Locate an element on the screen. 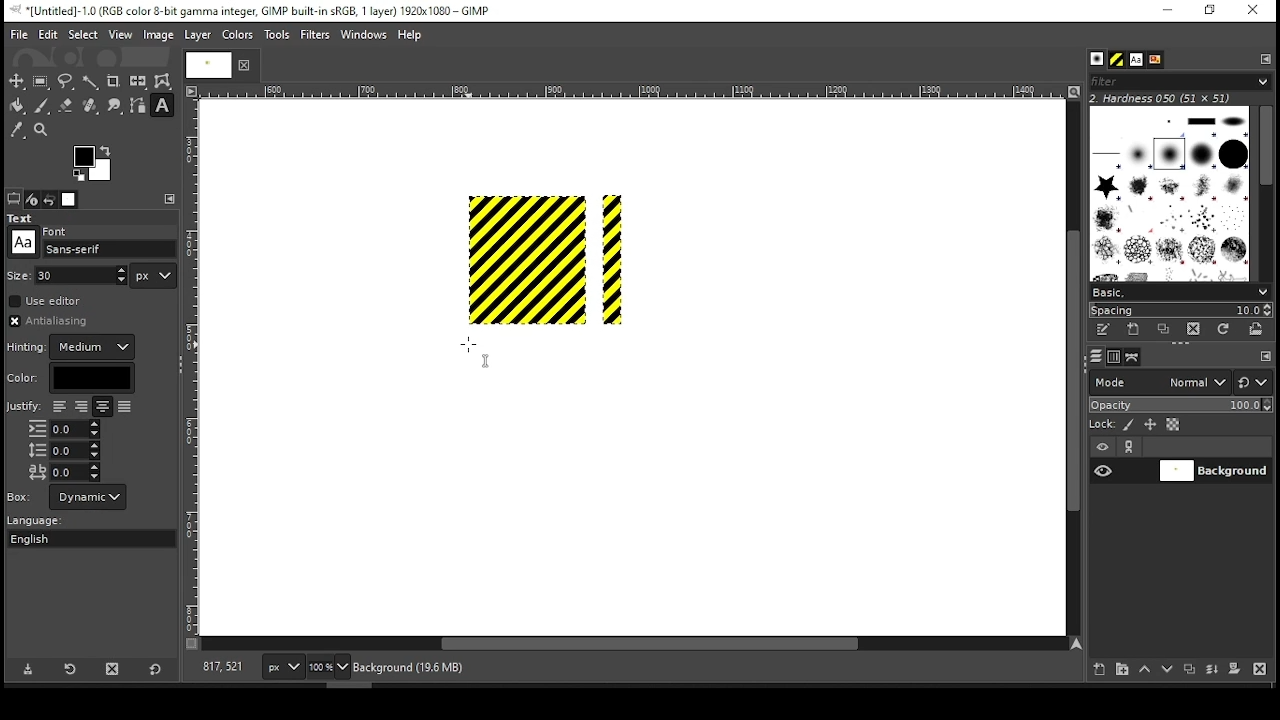 The width and height of the screenshot is (1280, 720). units is located at coordinates (154, 276).